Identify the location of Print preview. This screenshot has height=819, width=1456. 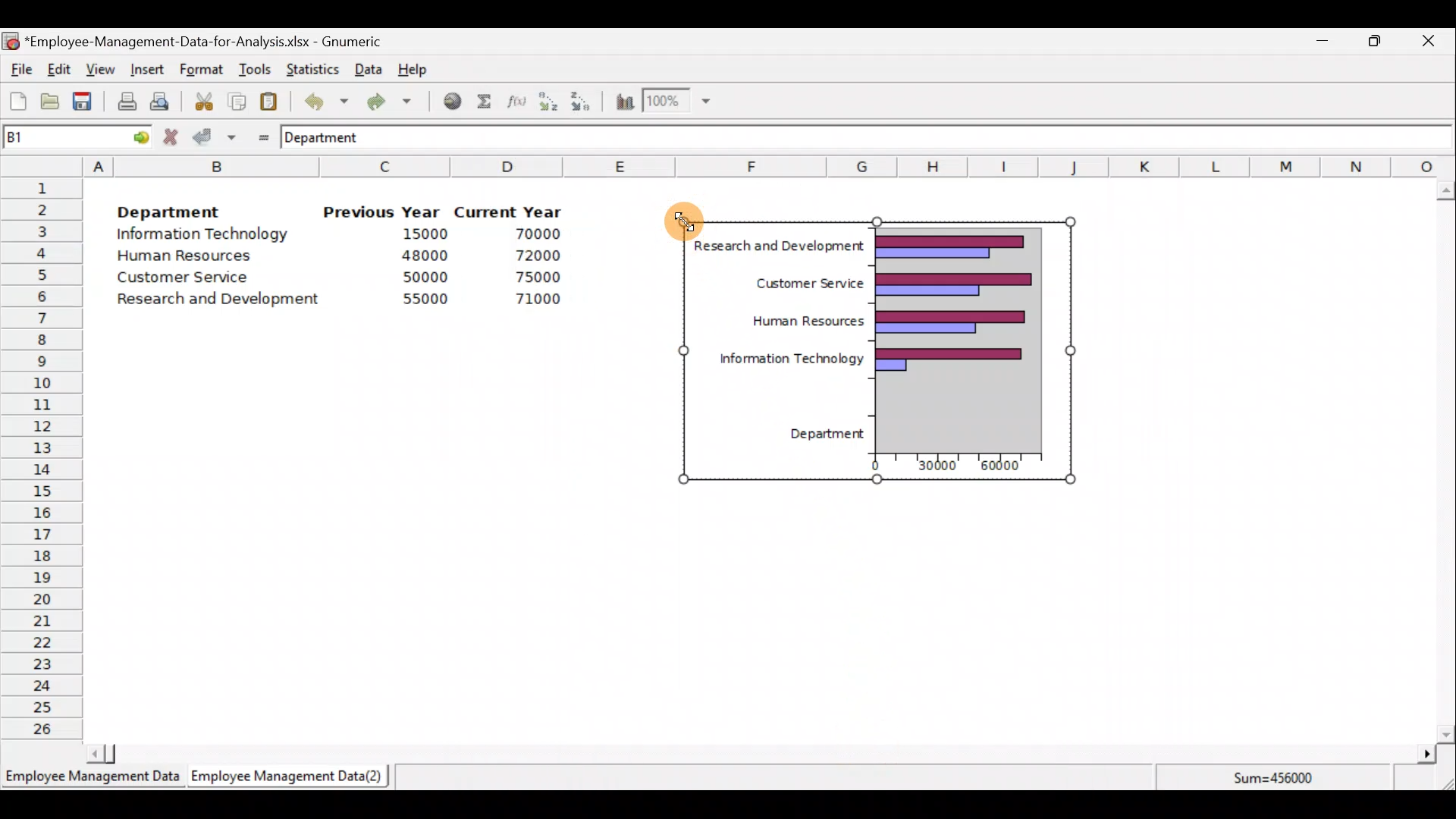
(159, 99).